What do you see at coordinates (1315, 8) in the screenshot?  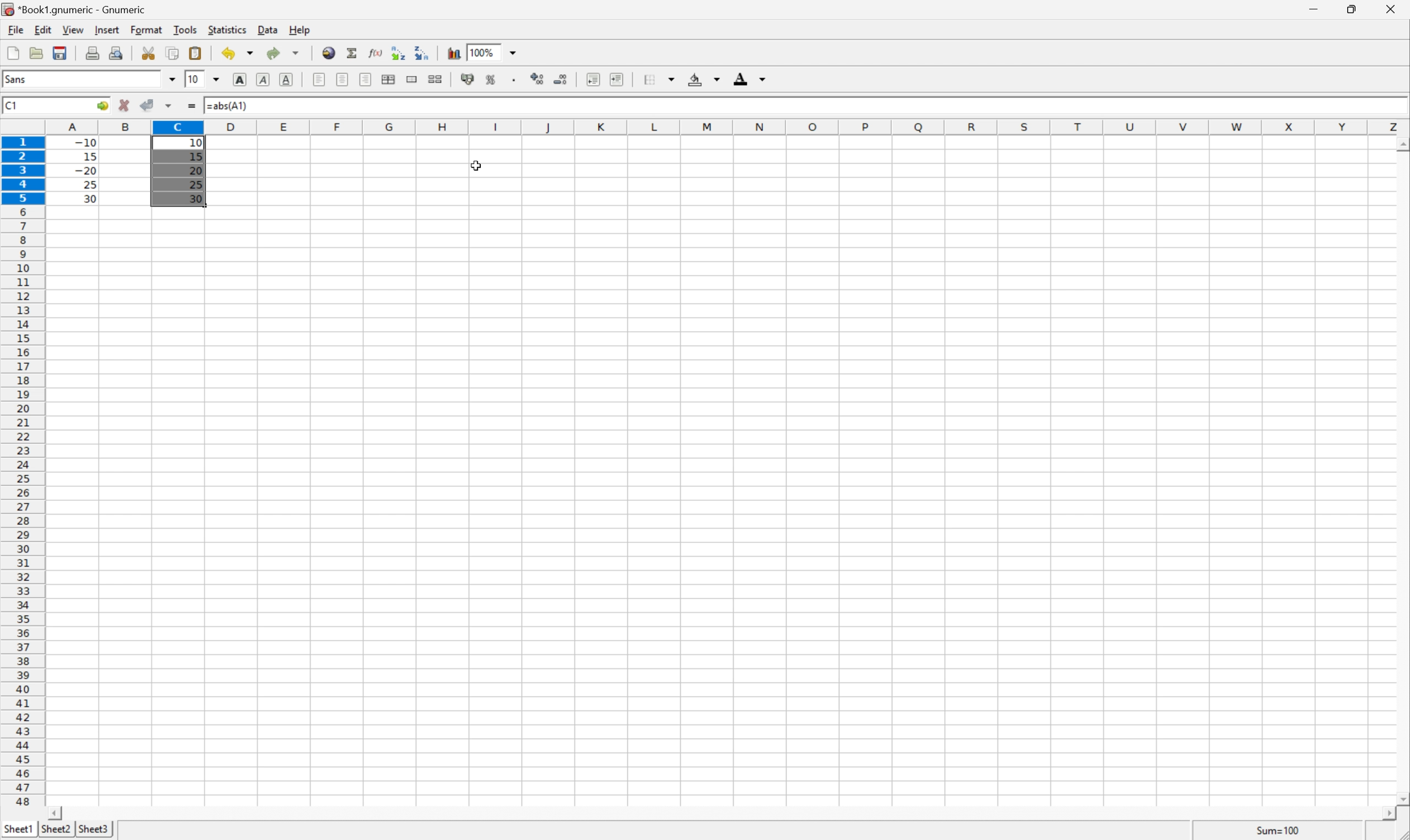 I see `Minimize` at bounding box center [1315, 8].